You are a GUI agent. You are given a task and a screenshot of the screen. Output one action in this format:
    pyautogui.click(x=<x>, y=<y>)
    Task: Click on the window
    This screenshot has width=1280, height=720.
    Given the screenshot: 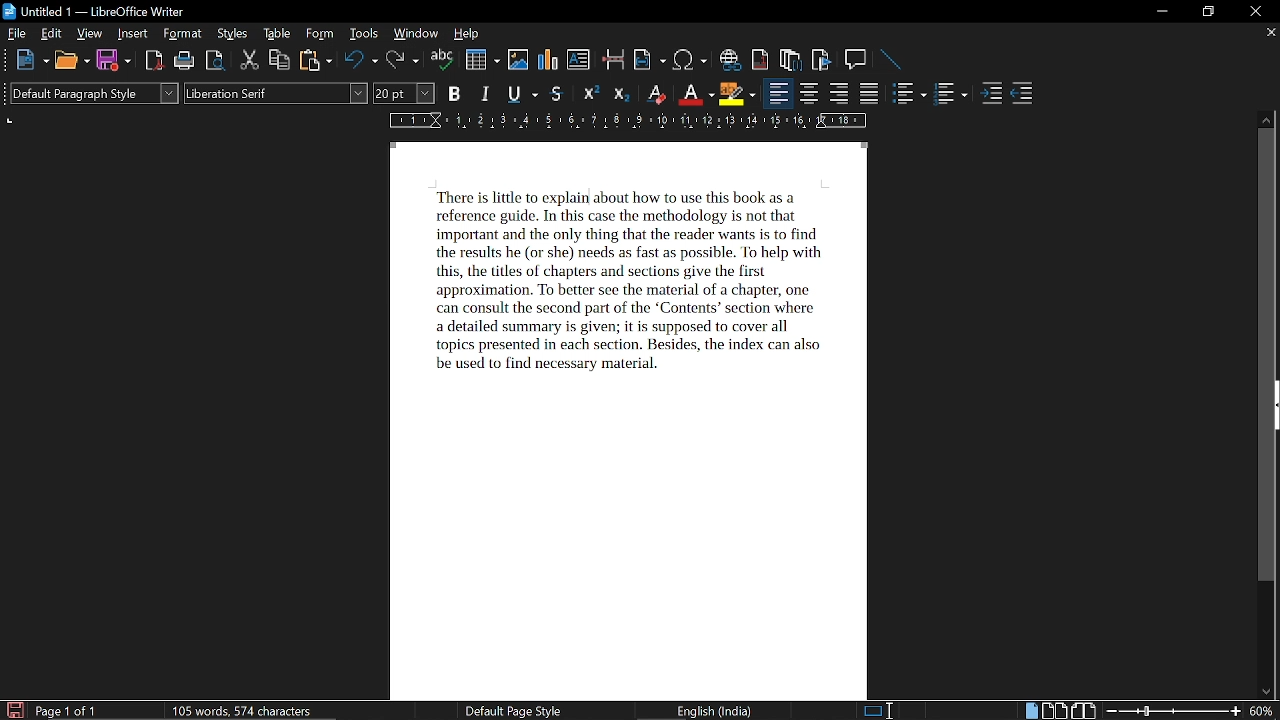 What is the action you would take?
    pyautogui.click(x=416, y=35)
    